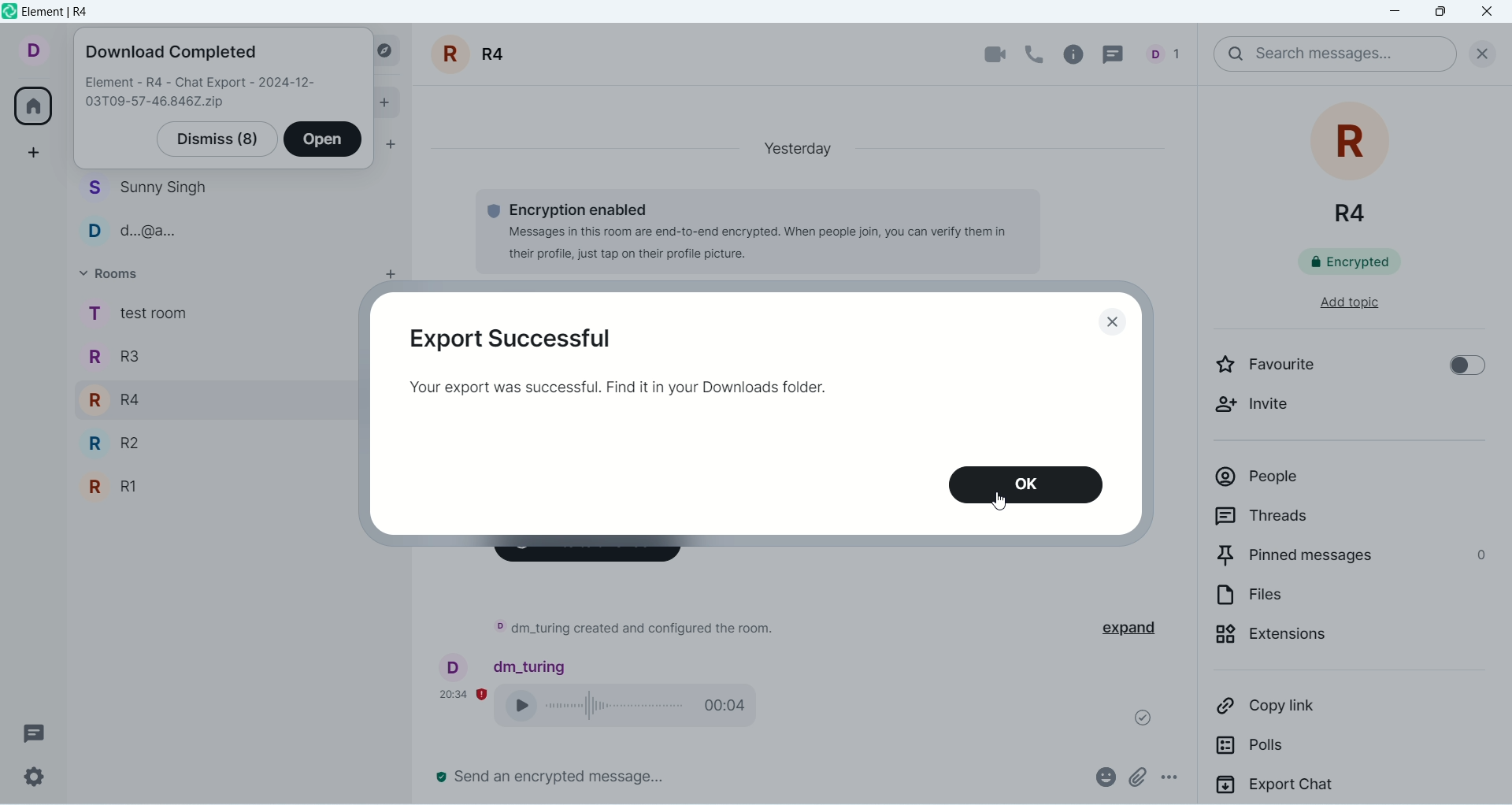 This screenshot has width=1512, height=805. I want to click on threads, so click(1119, 53).